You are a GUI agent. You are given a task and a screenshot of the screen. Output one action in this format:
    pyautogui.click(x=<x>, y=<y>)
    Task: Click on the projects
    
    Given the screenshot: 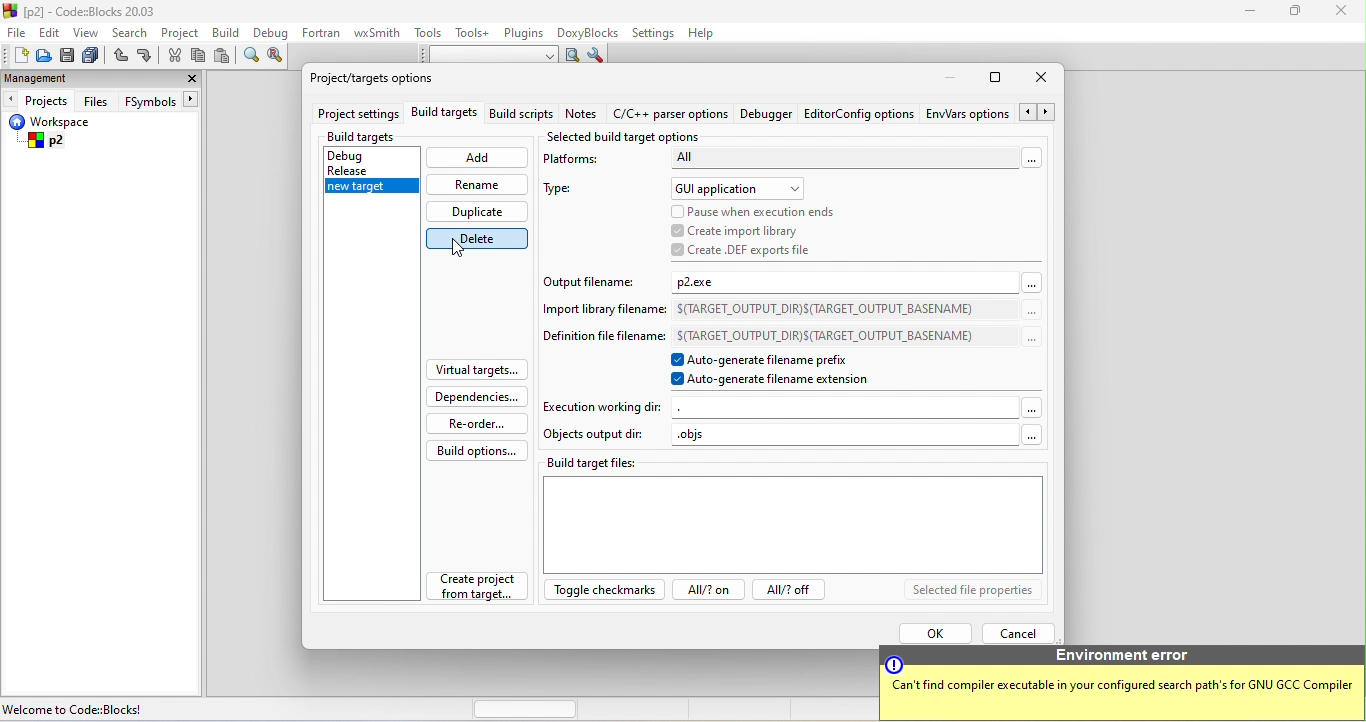 What is the action you would take?
    pyautogui.click(x=39, y=101)
    